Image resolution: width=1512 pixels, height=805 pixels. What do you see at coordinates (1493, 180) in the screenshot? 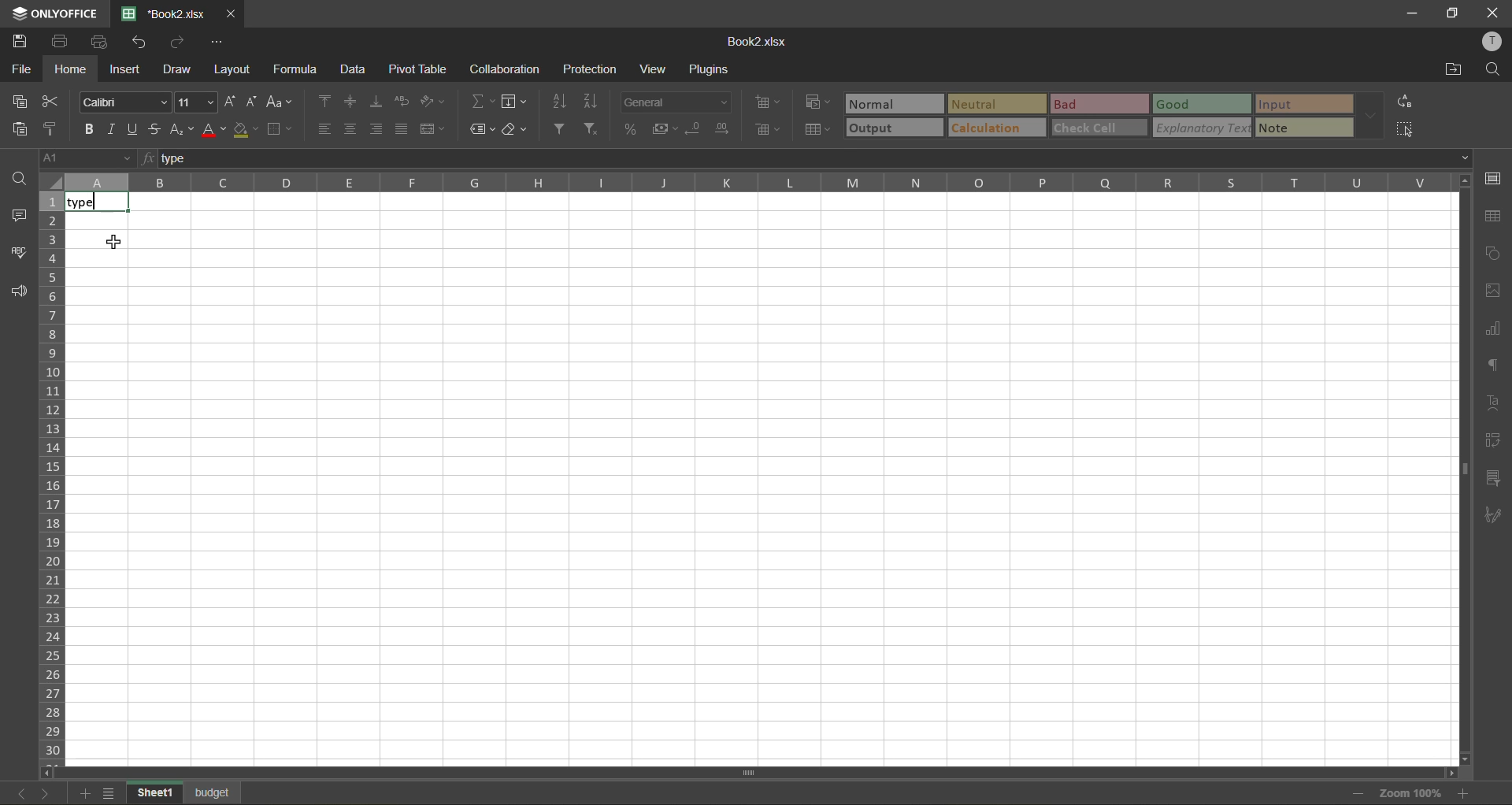
I see `cell settings` at bounding box center [1493, 180].